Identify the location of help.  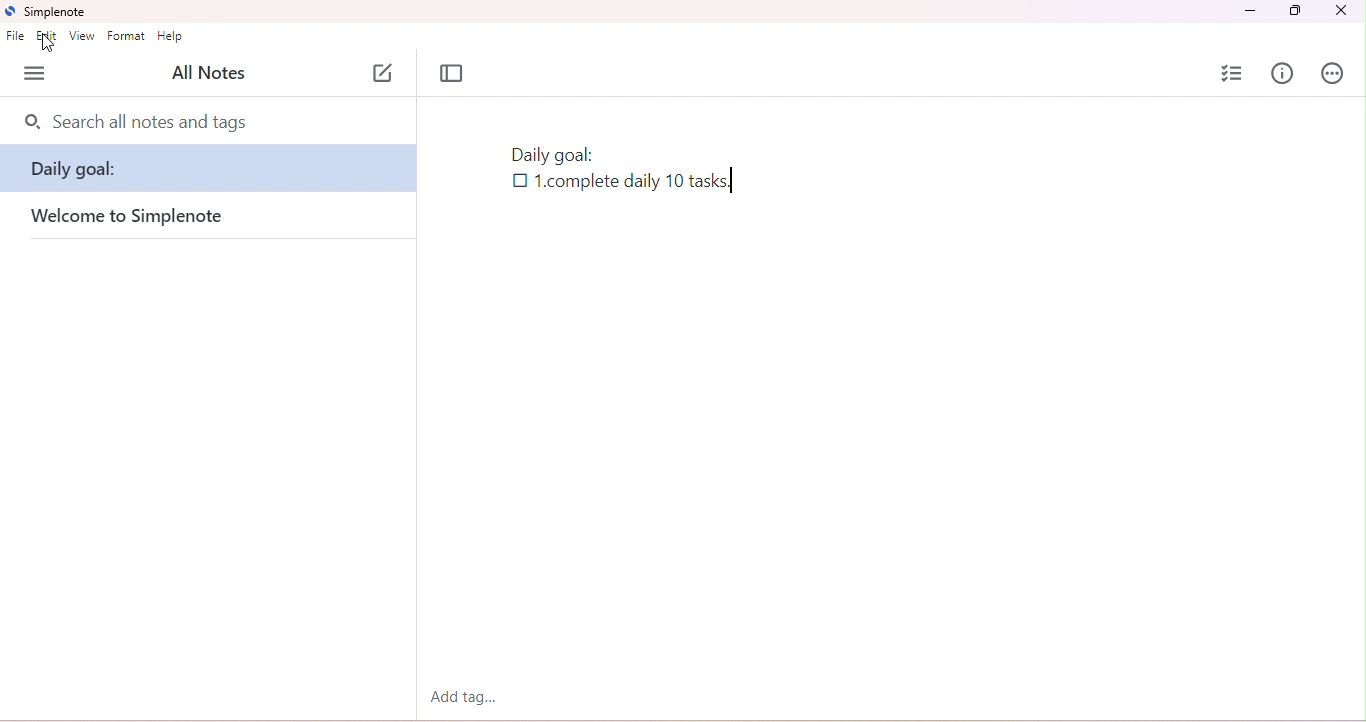
(171, 37).